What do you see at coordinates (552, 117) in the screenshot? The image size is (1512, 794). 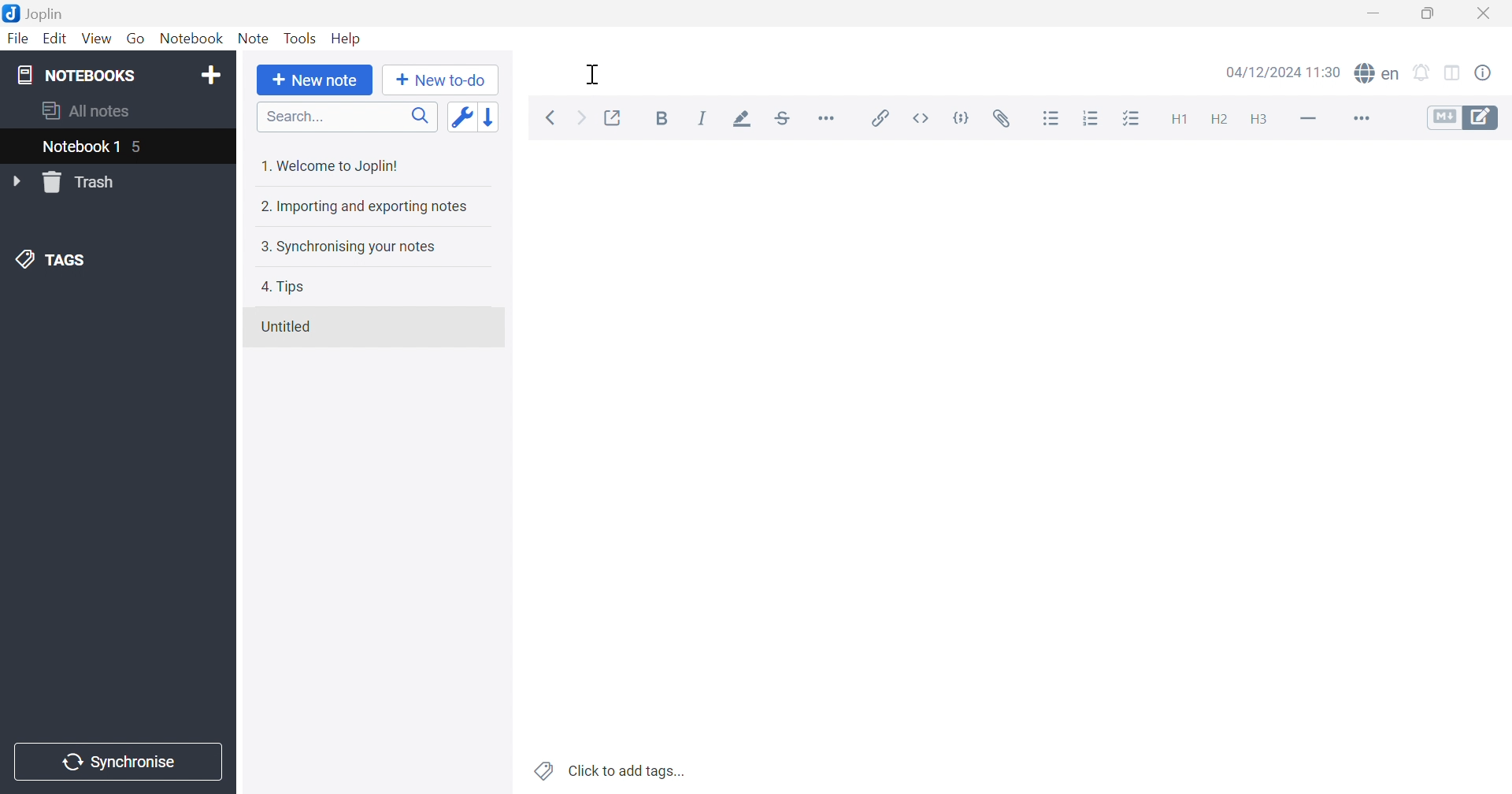 I see `Back` at bounding box center [552, 117].